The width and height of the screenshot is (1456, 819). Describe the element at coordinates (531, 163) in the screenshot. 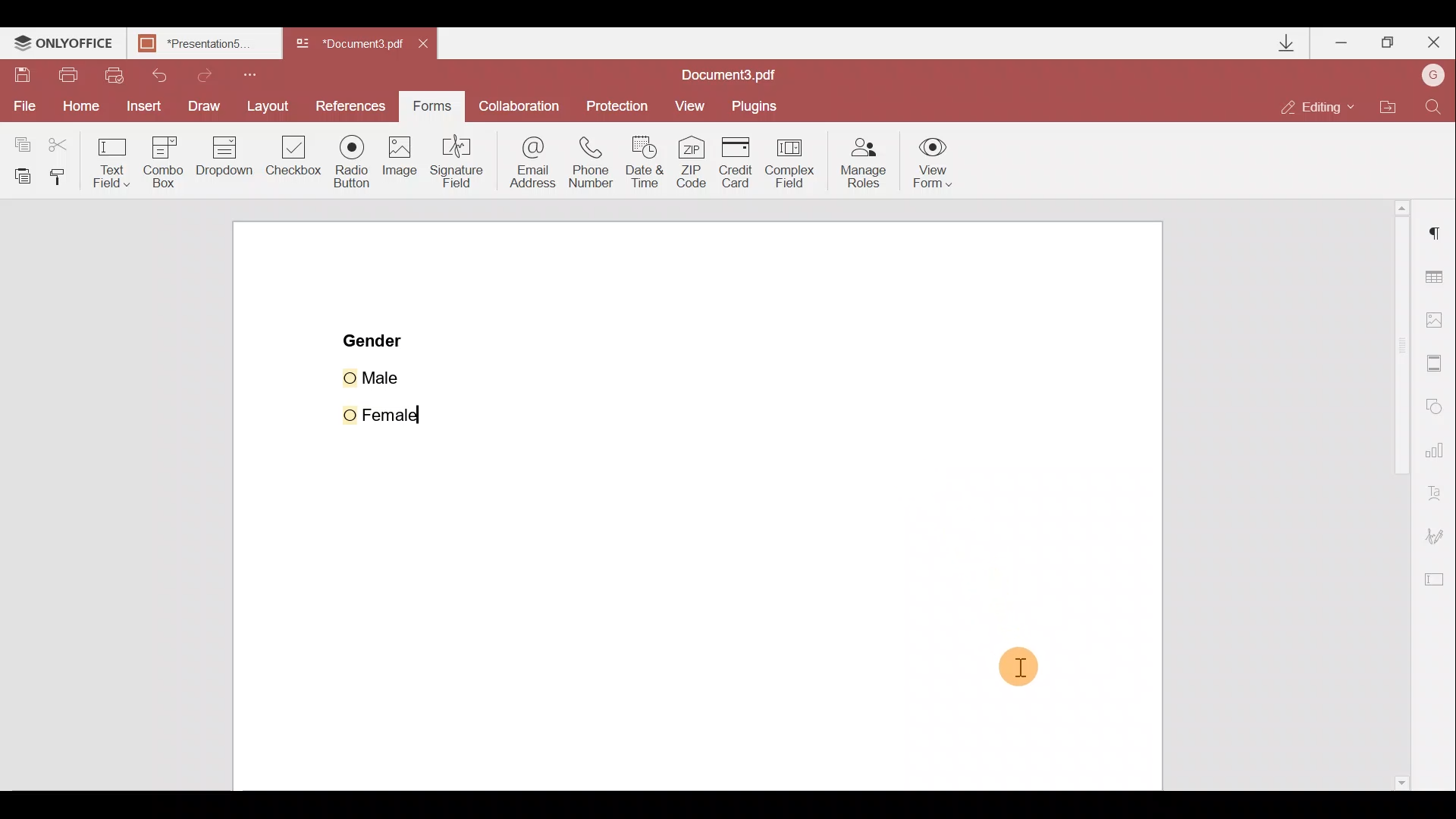

I see `Email address` at that location.